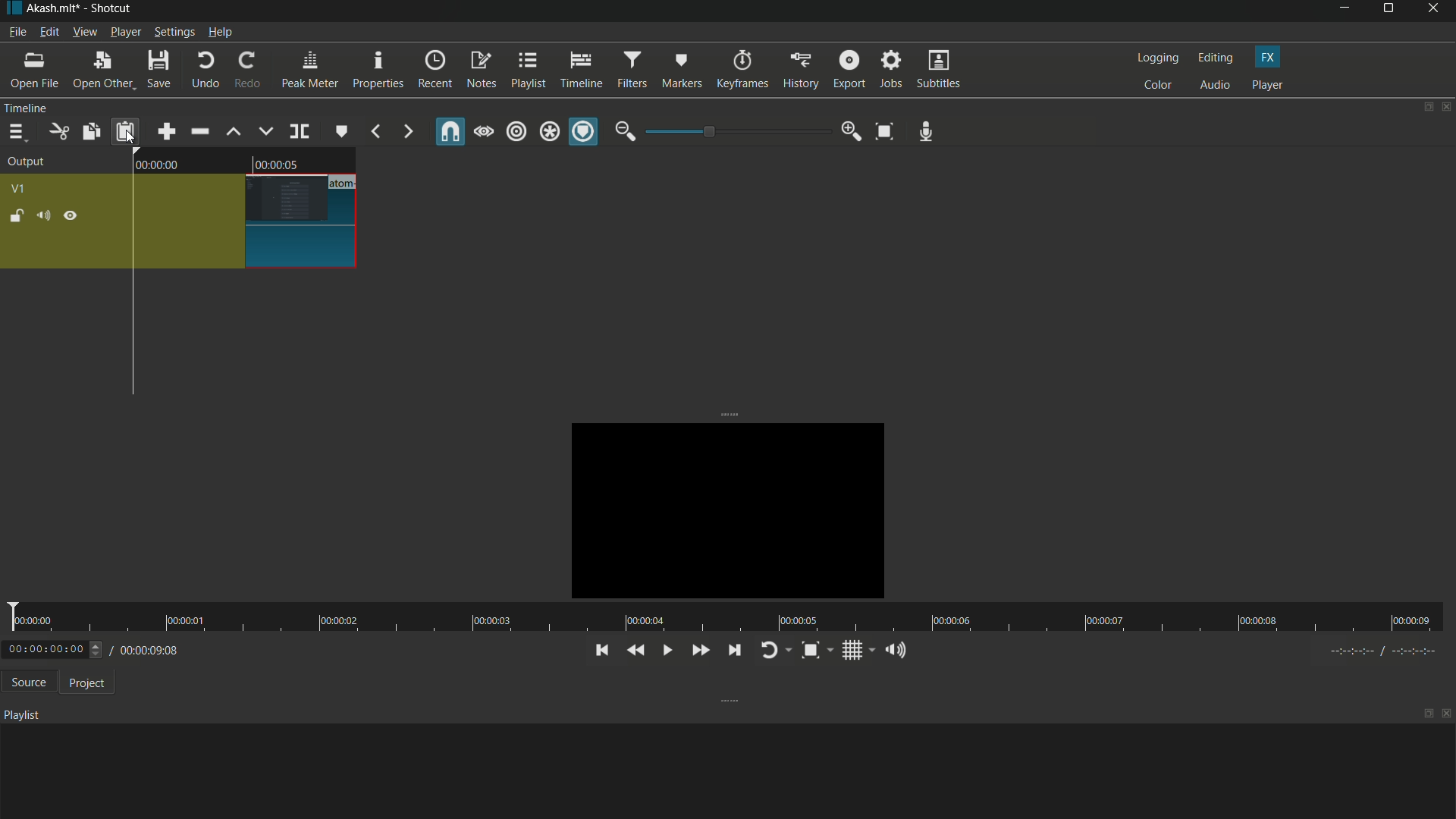  What do you see at coordinates (665, 650) in the screenshot?
I see `toggle play or pause` at bounding box center [665, 650].